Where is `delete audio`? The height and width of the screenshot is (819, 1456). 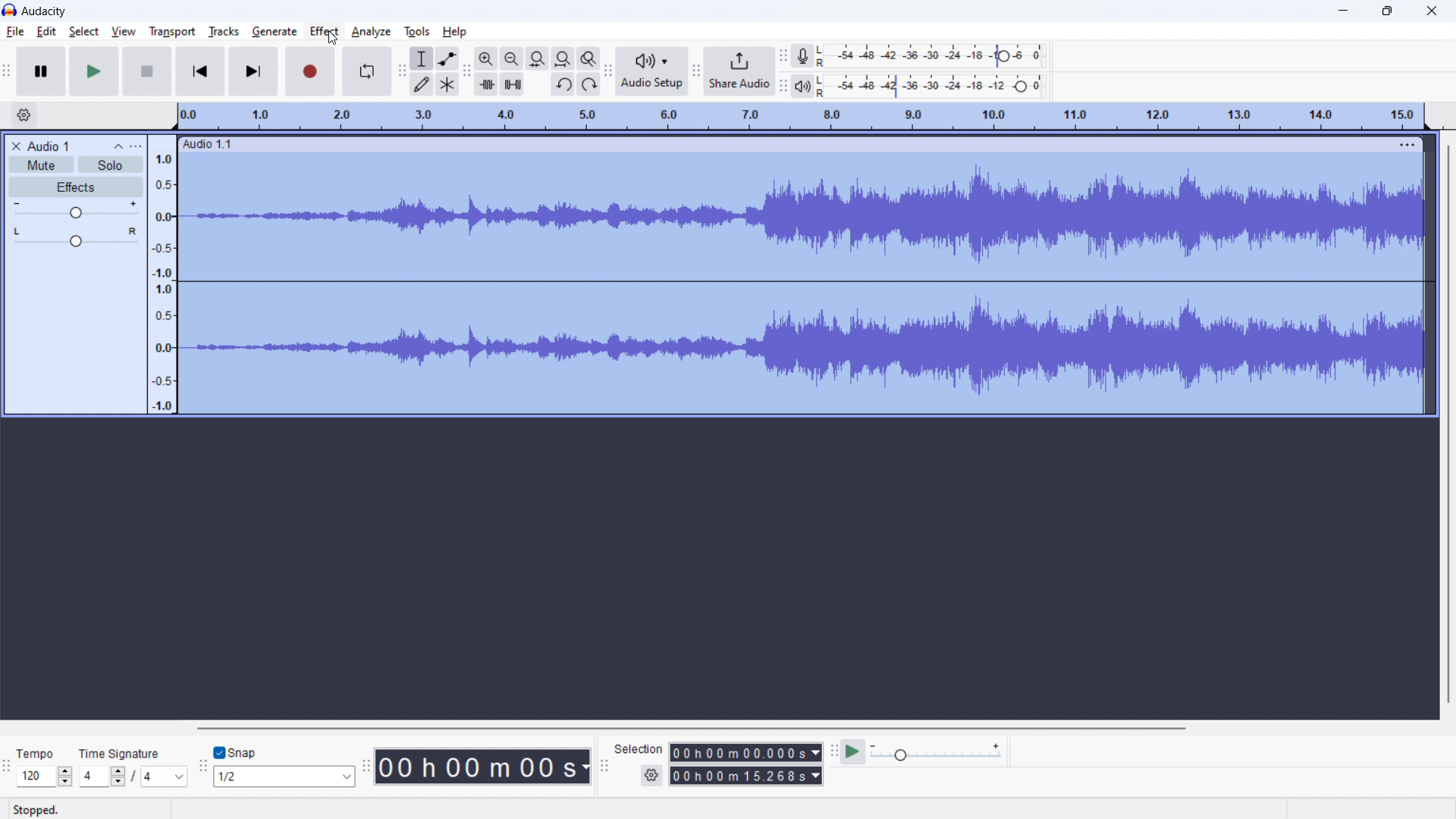 delete audio is located at coordinates (15, 146).